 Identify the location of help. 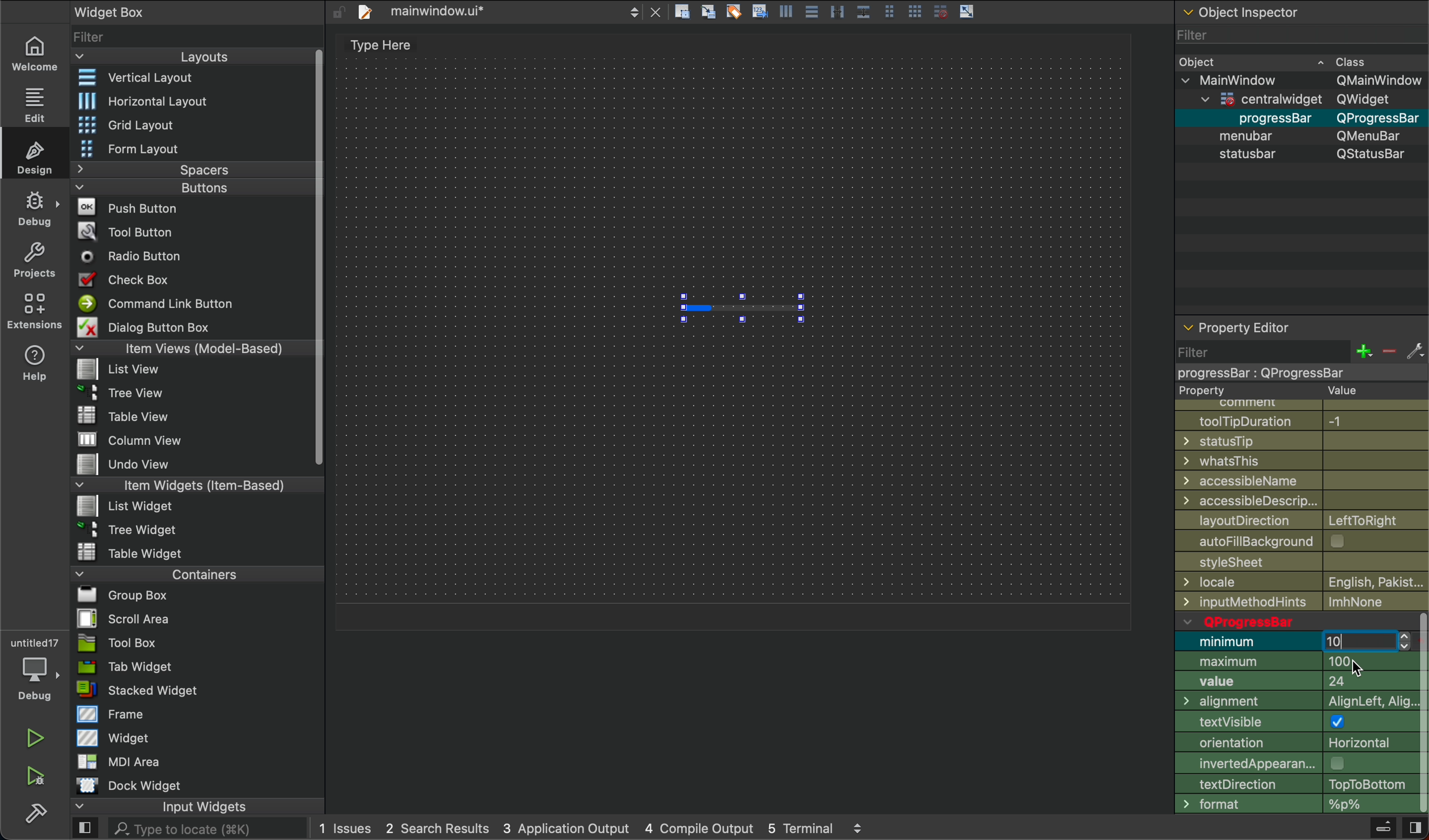
(36, 362).